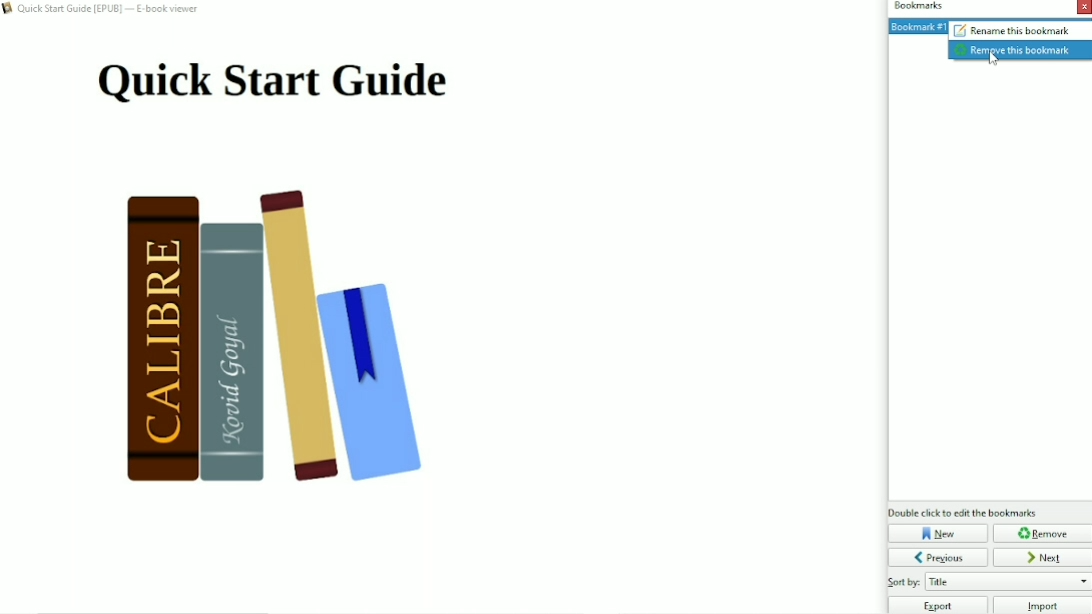  What do you see at coordinates (938, 533) in the screenshot?
I see `New` at bounding box center [938, 533].